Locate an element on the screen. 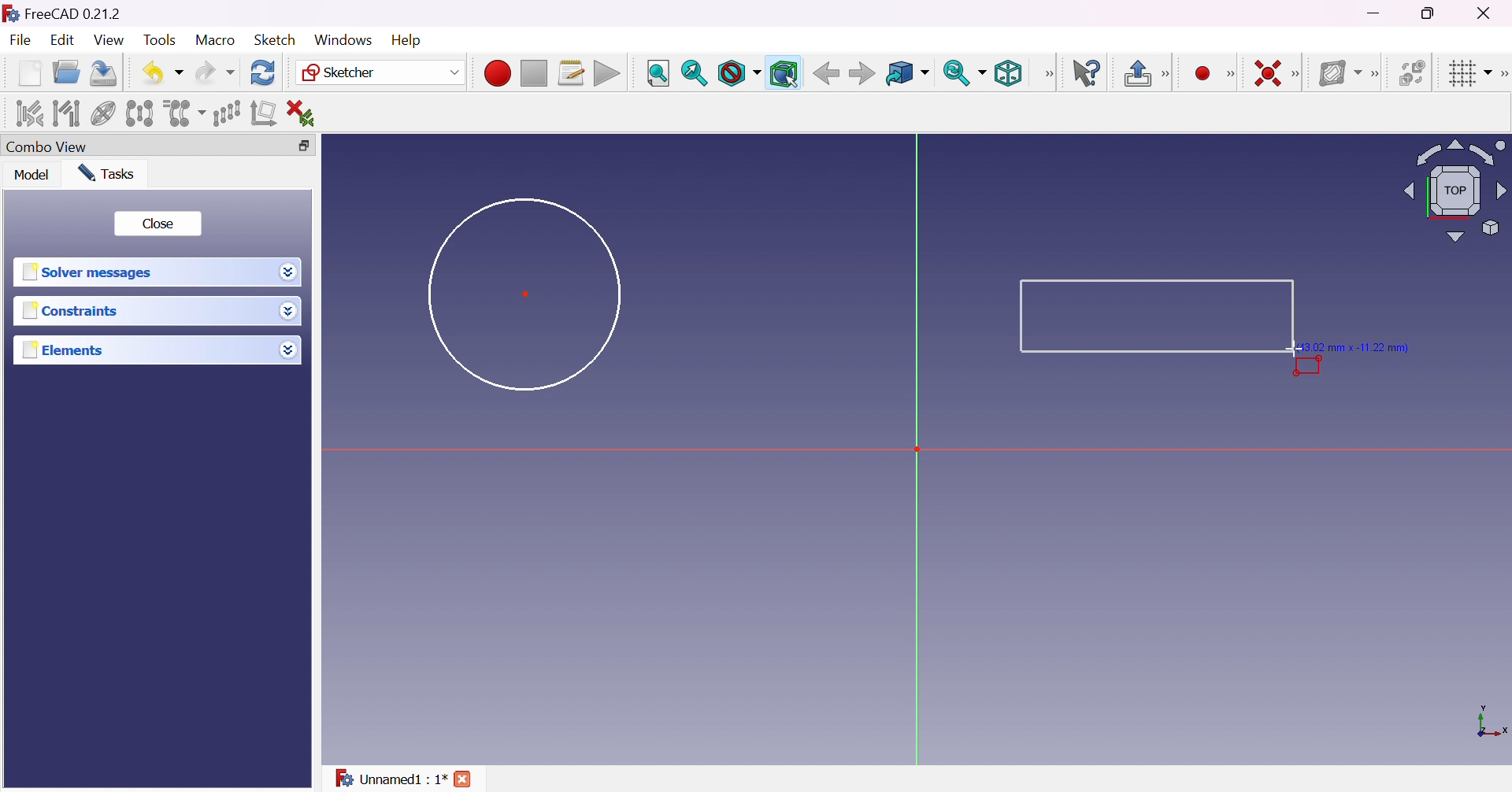 The image size is (1512, 792). Switch virtual space is located at coordinates (1415, 72).